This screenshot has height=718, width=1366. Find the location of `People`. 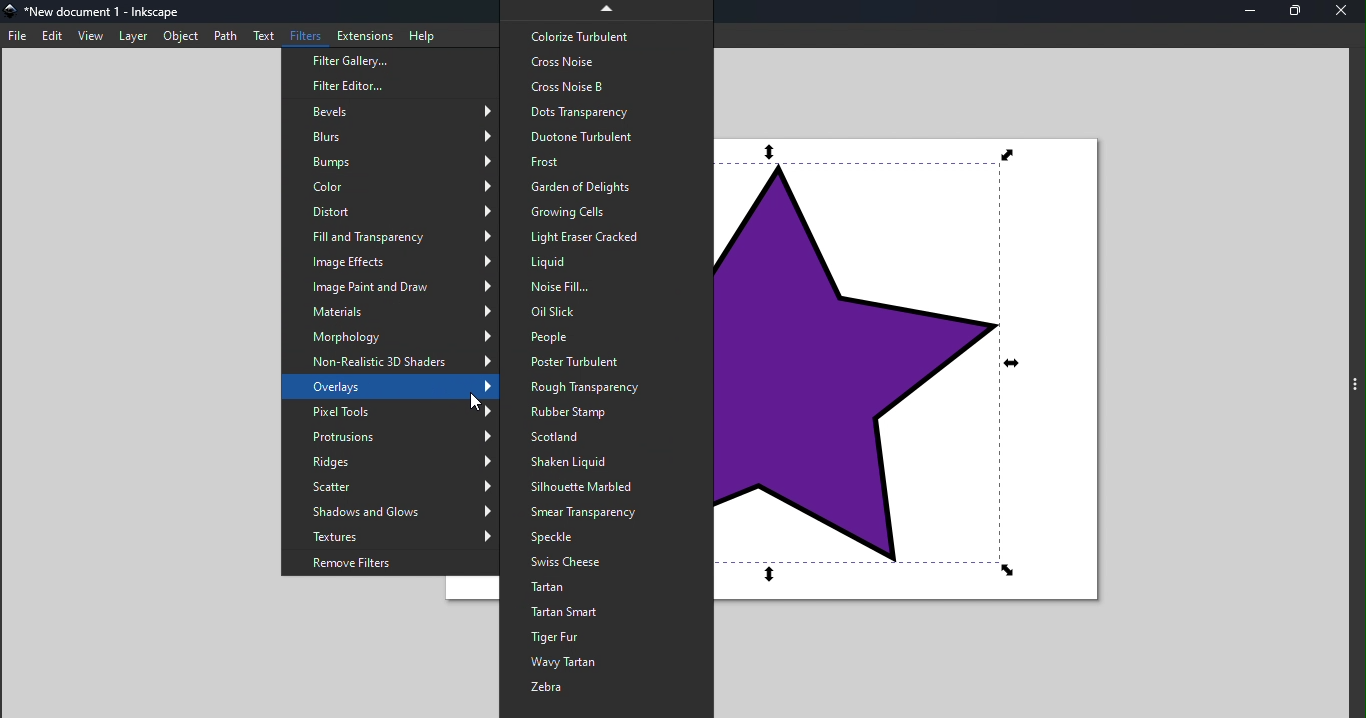

People is located at coordinates (606, 338).